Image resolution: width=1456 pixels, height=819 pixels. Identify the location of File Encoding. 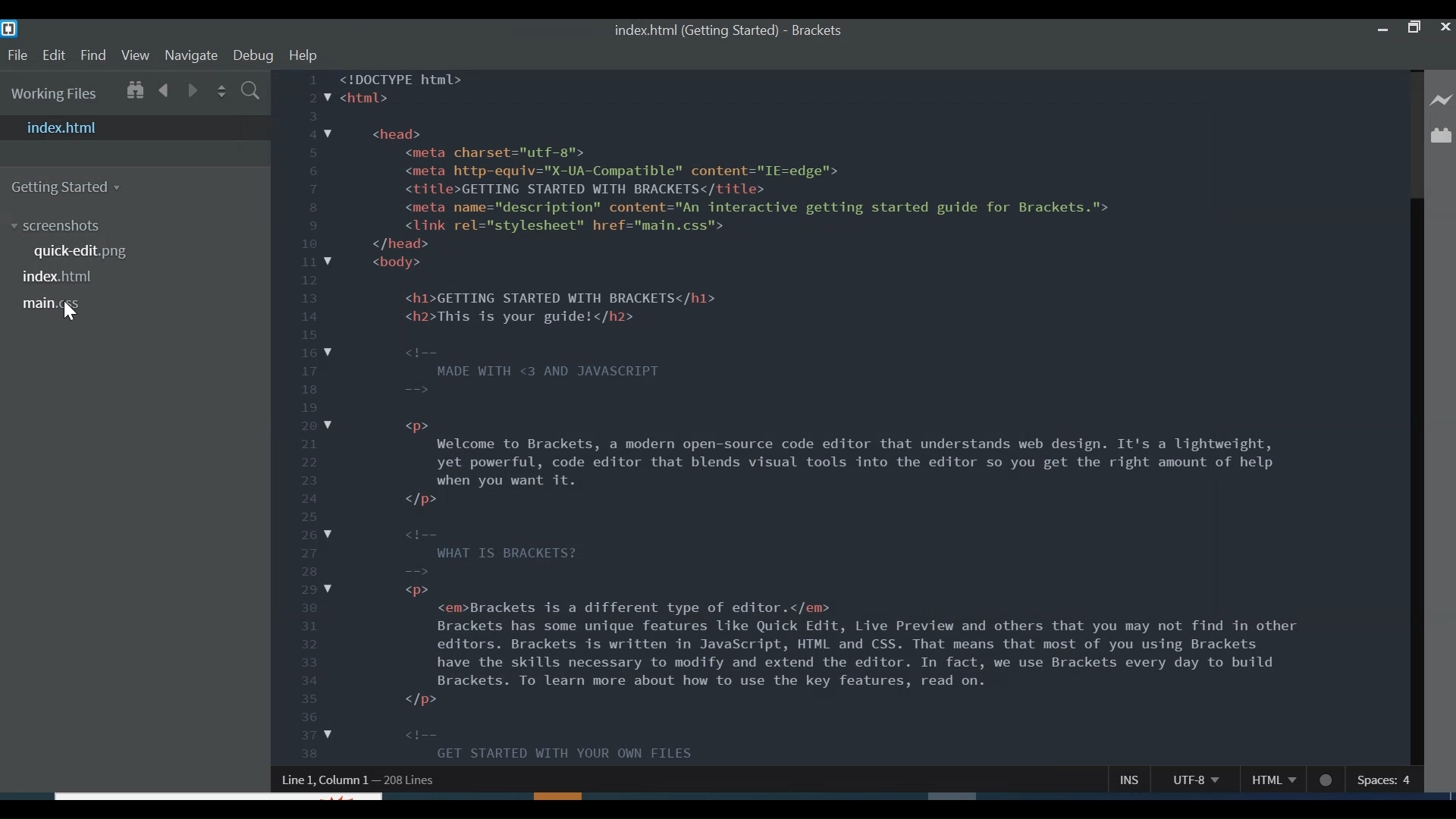
(1197, 780).